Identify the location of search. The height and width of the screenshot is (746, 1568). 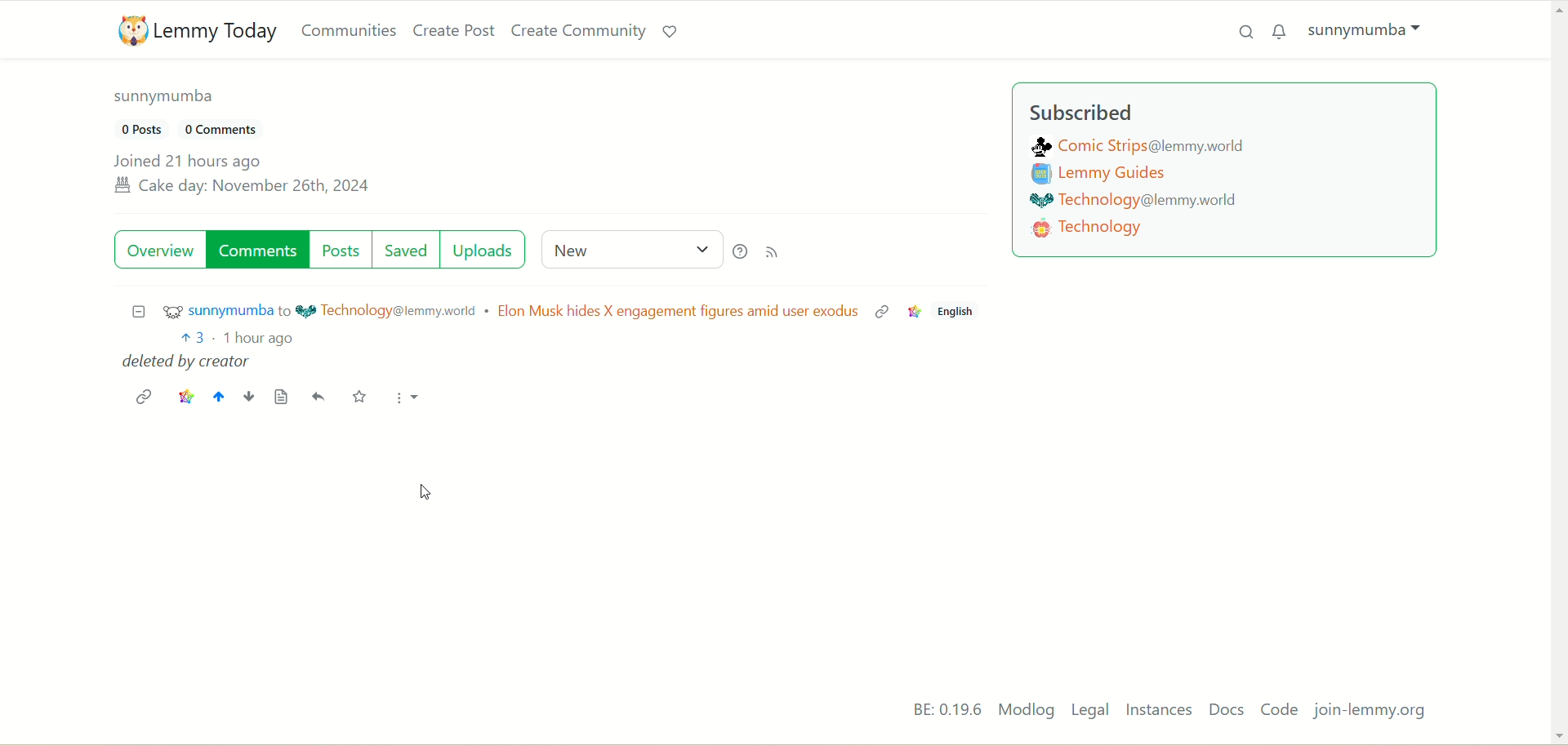
(1239, 36).